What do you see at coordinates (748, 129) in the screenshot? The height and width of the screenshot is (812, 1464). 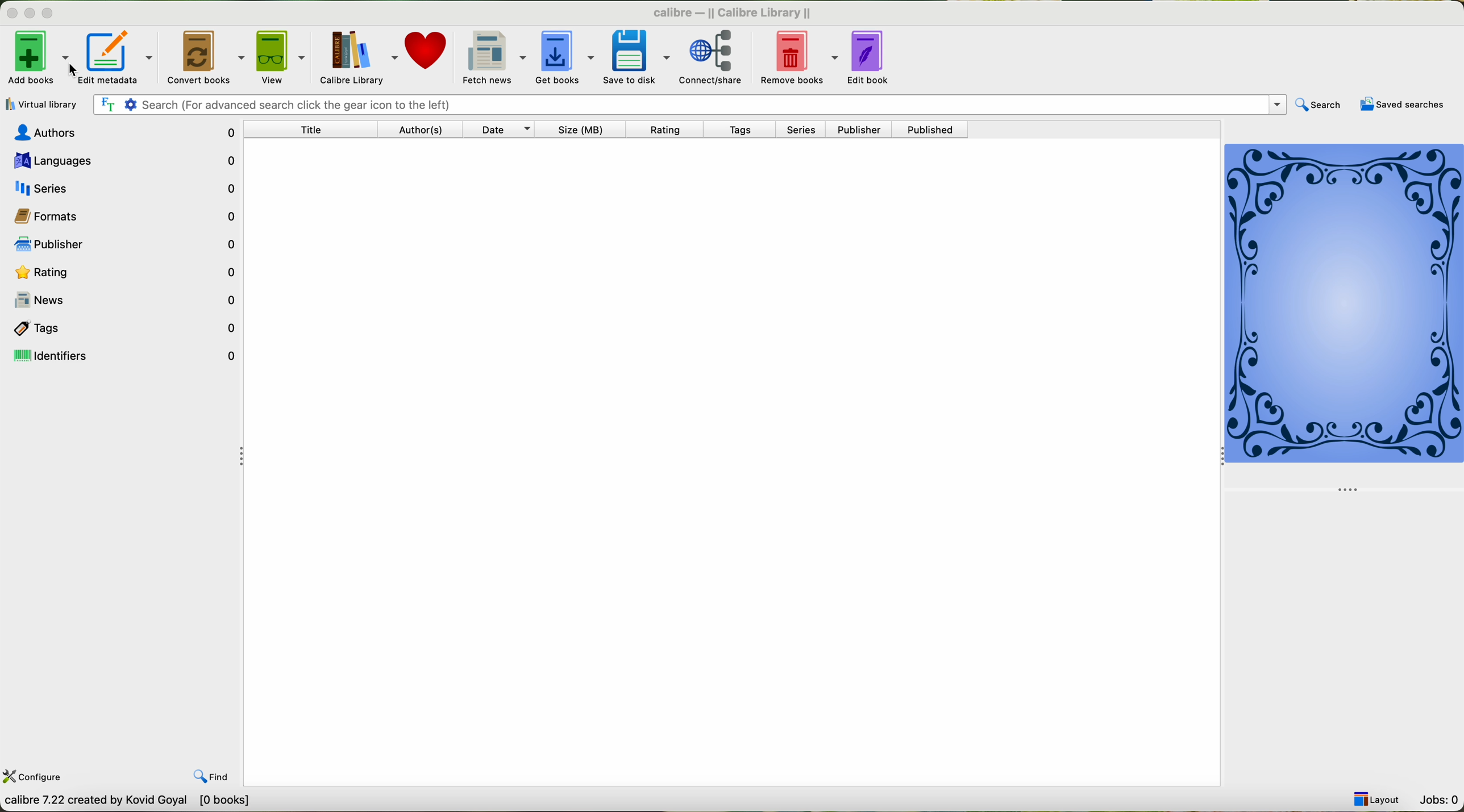 I see `tags` at bounding box center [748, 129].